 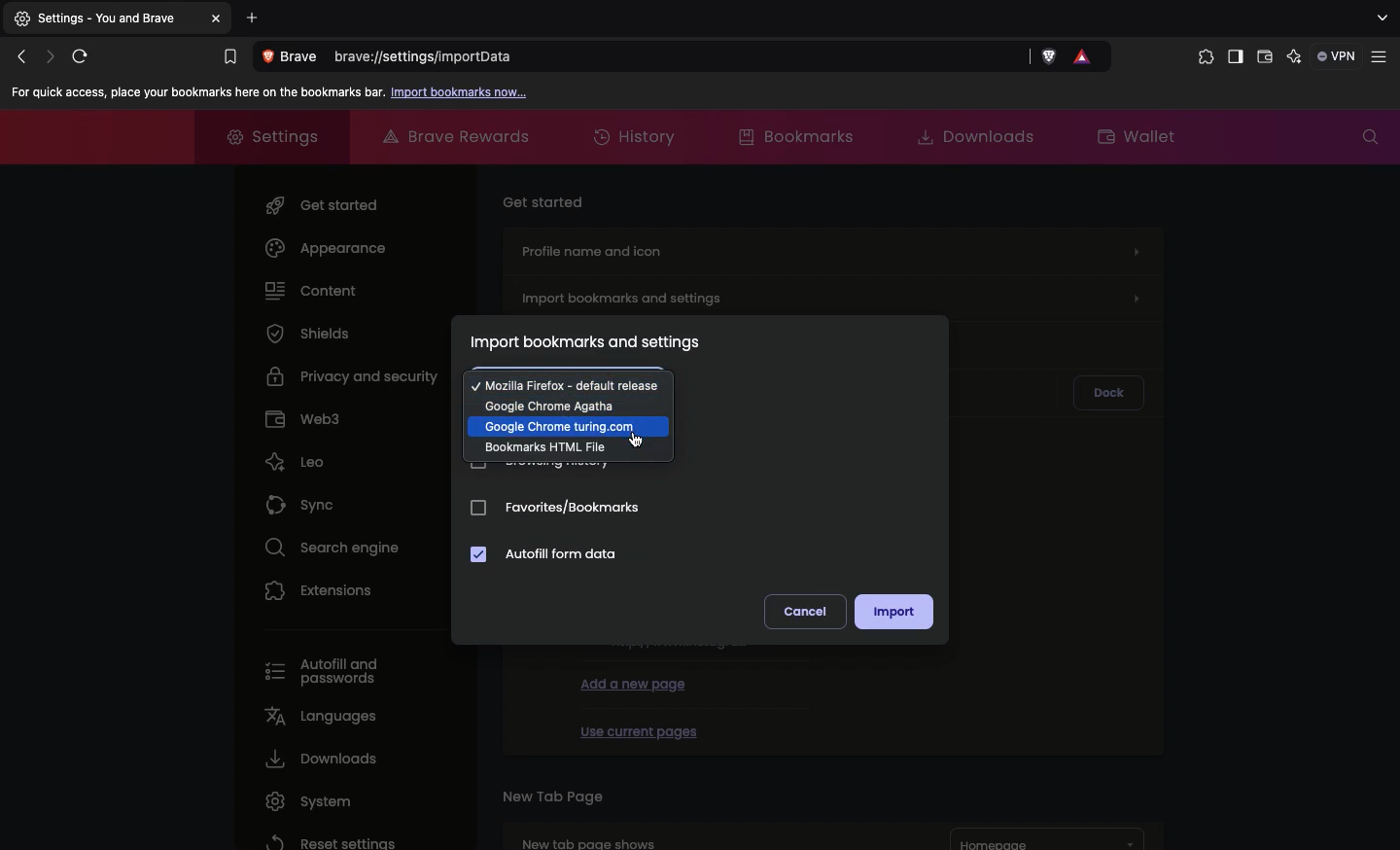 What do you see at coordinates (793, 135) in the screenshot?
I see `Bookmarks` at bounding box center [793, 135].